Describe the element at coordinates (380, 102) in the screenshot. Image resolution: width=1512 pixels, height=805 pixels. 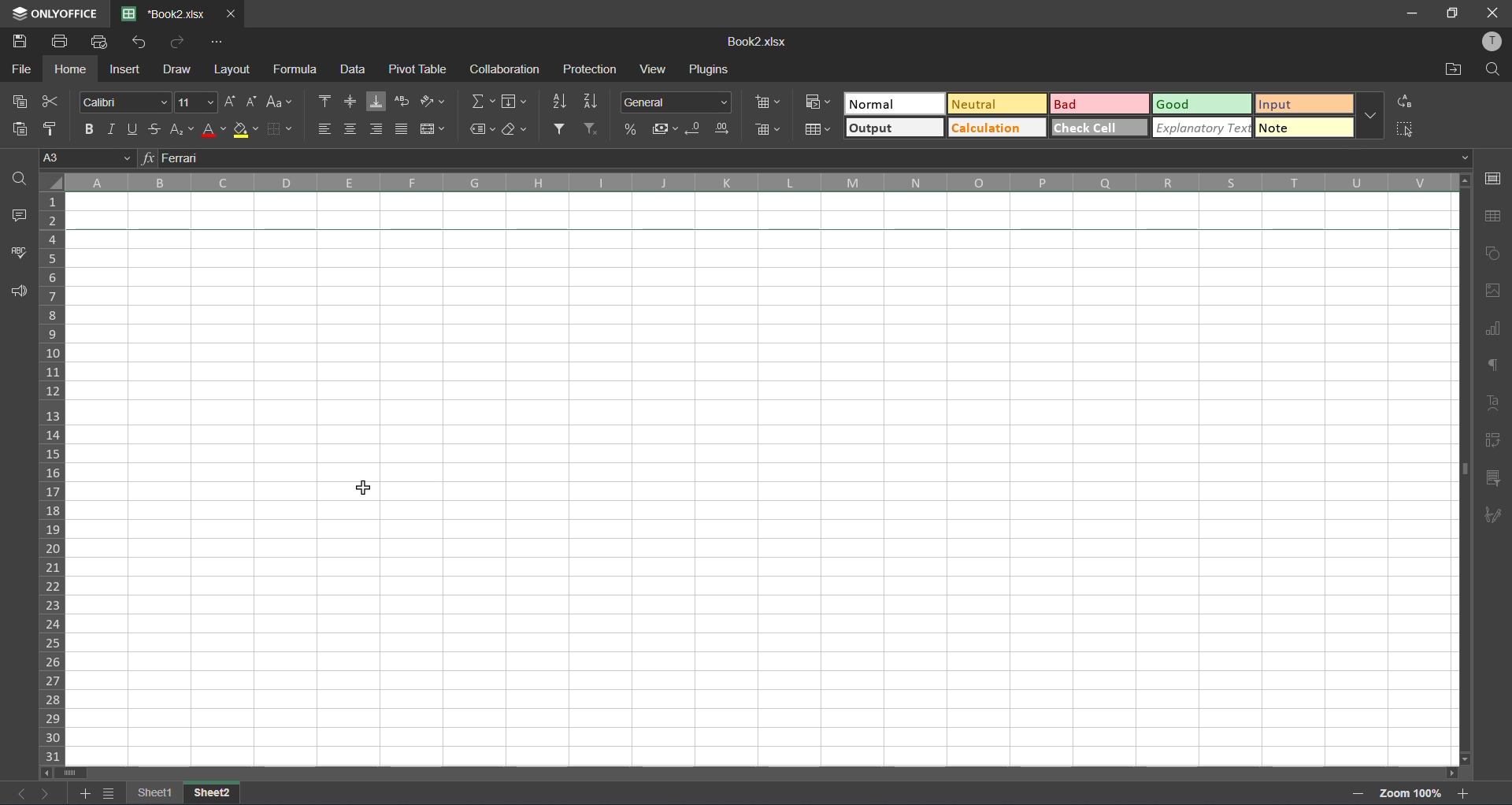
I see `align bottom` at that location.